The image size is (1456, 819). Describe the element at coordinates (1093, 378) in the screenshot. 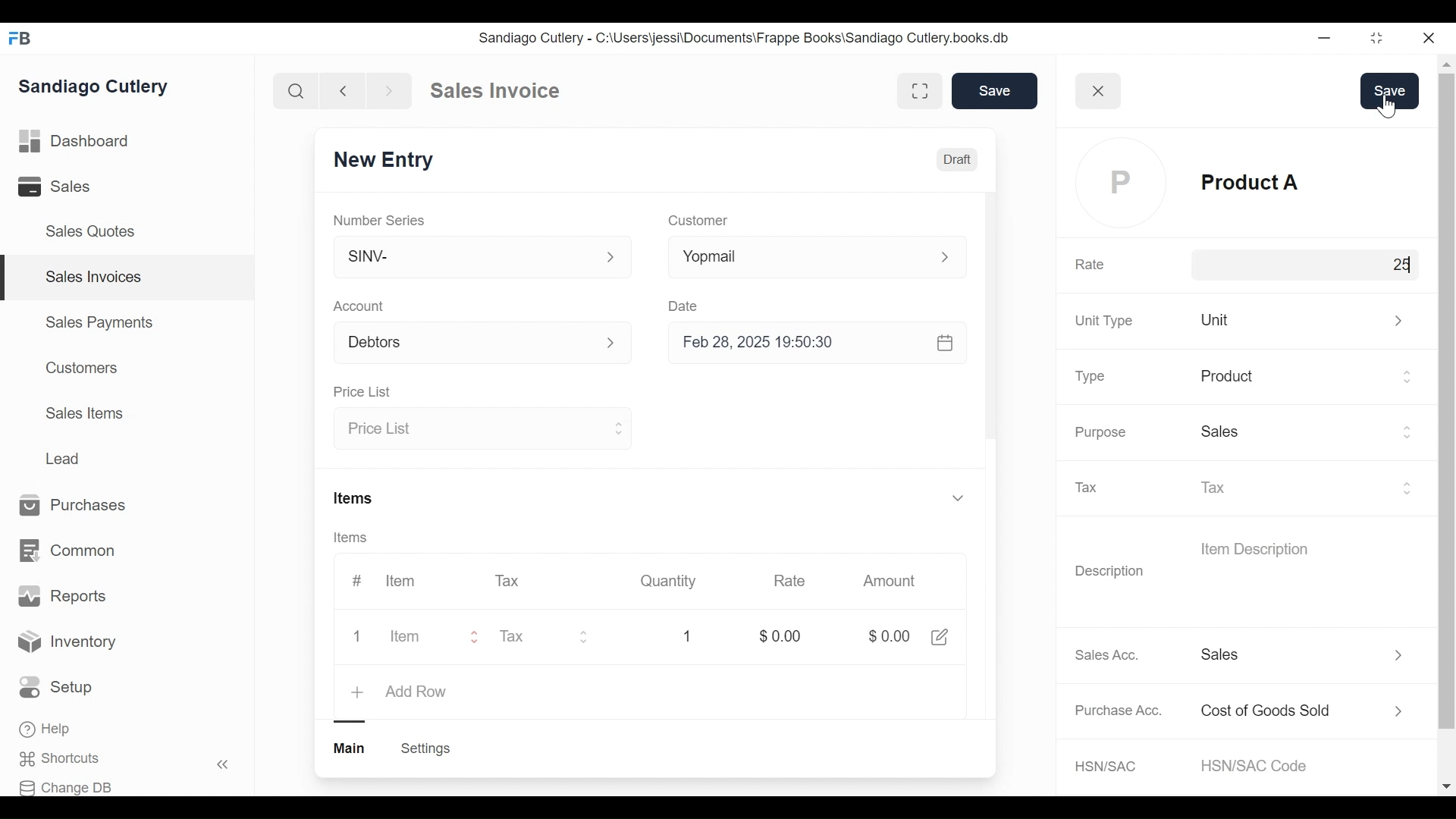

I see `Type` at that location.